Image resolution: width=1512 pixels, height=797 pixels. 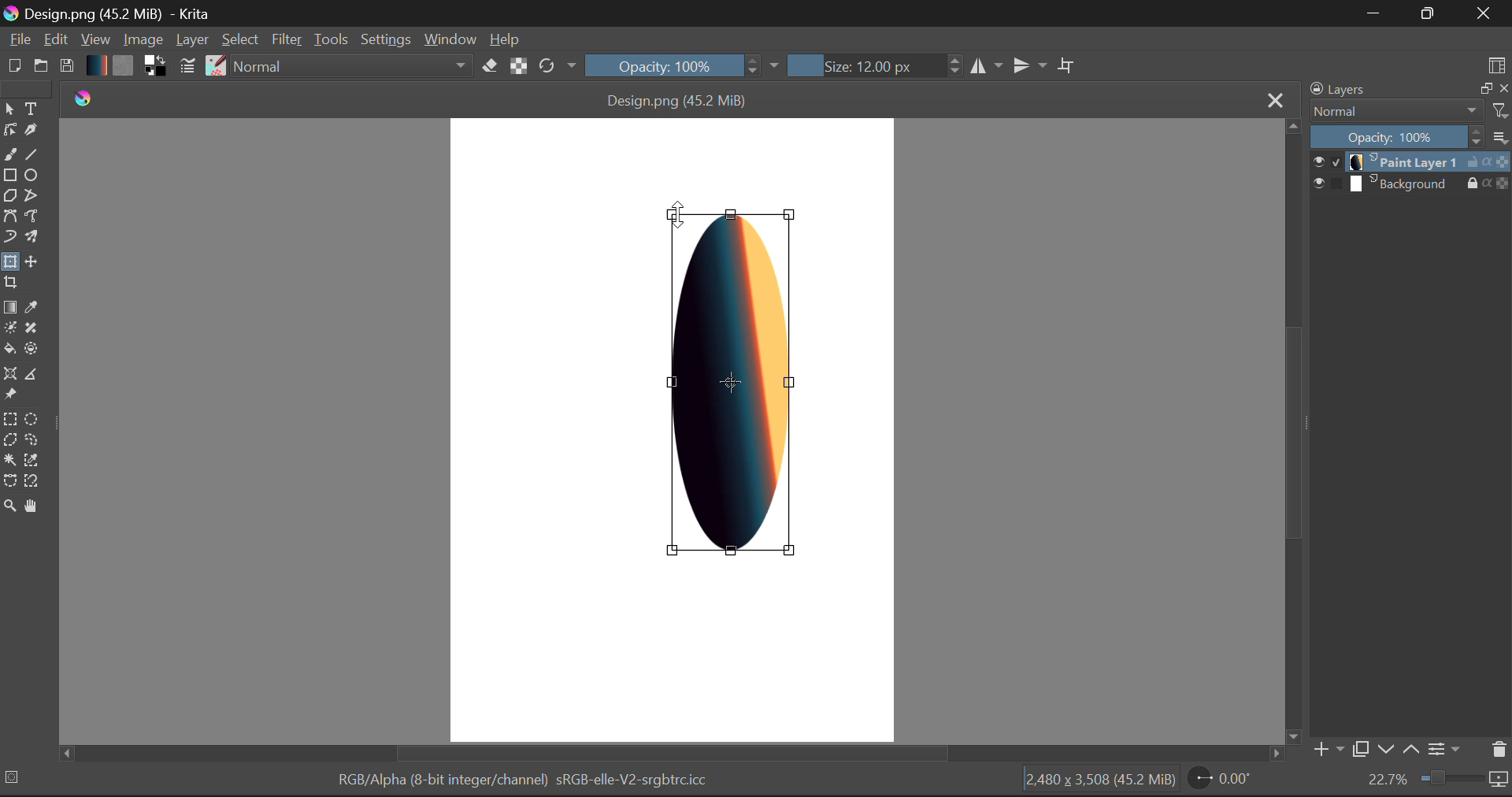 I want to click on Paint Layer, so click(x=1411, y=162).